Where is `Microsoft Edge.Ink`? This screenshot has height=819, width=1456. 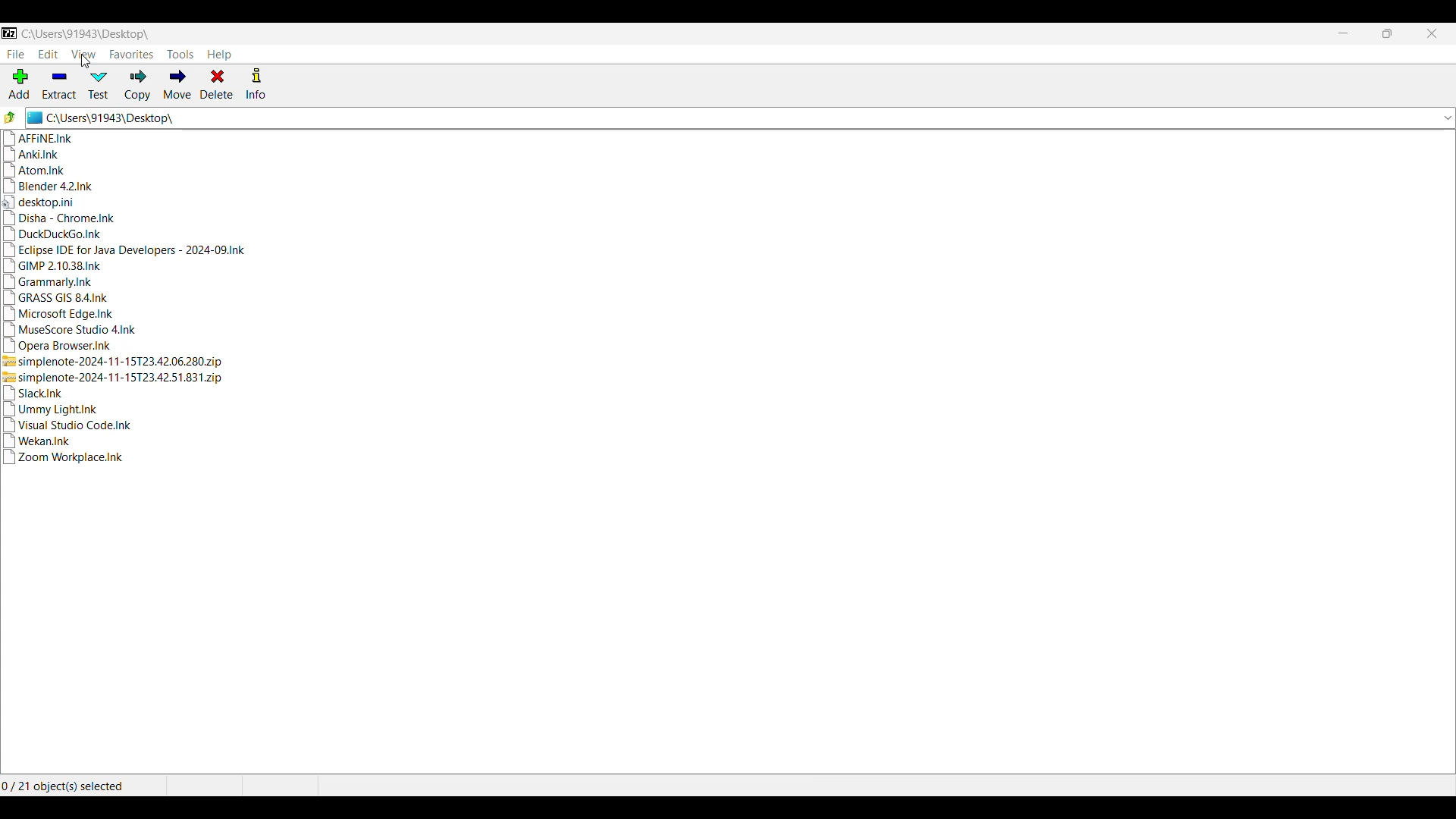
Microsoft Edge.Ink is located at coordinates (61, 314).